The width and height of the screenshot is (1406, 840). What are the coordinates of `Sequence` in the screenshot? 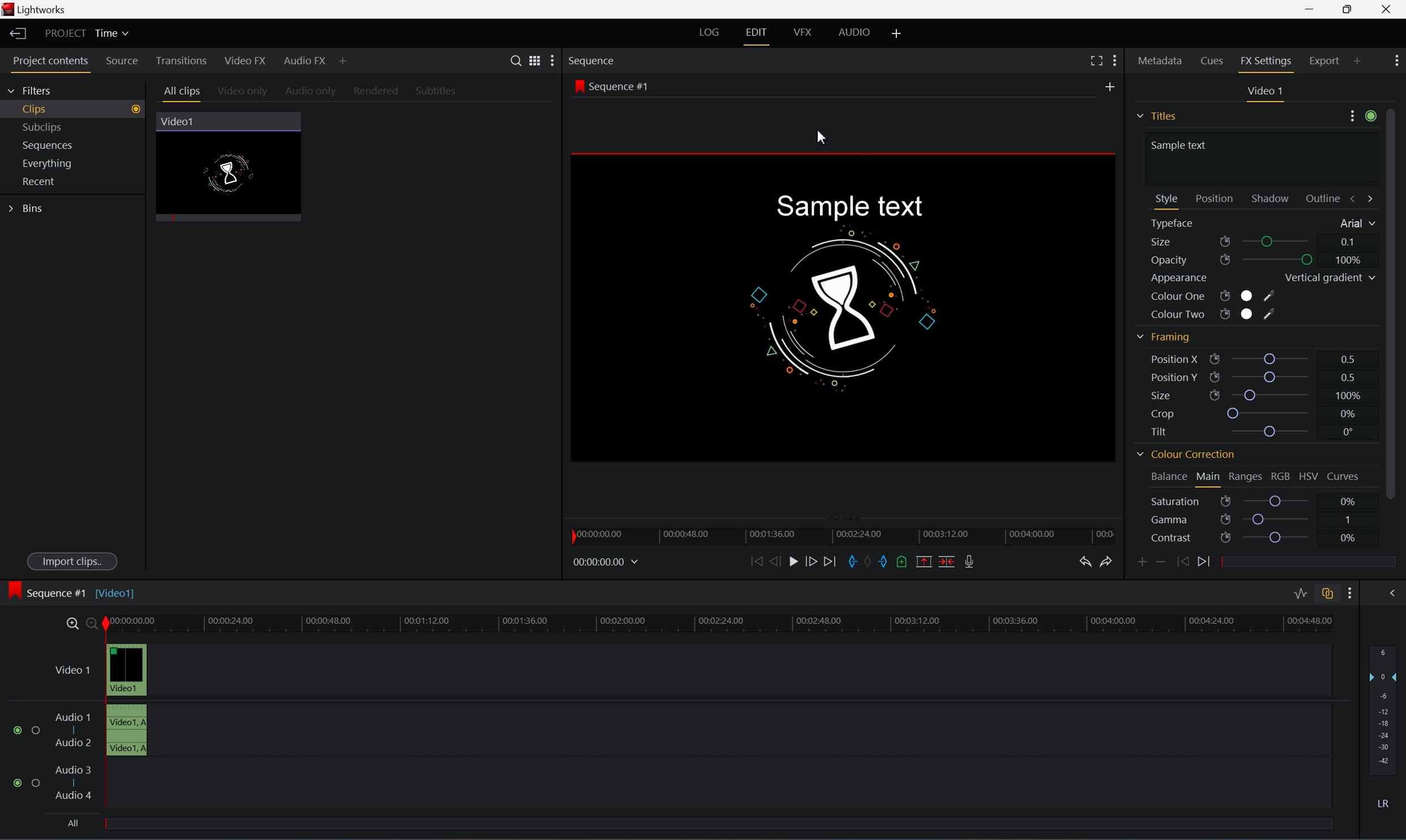 It's located at (593, 61).